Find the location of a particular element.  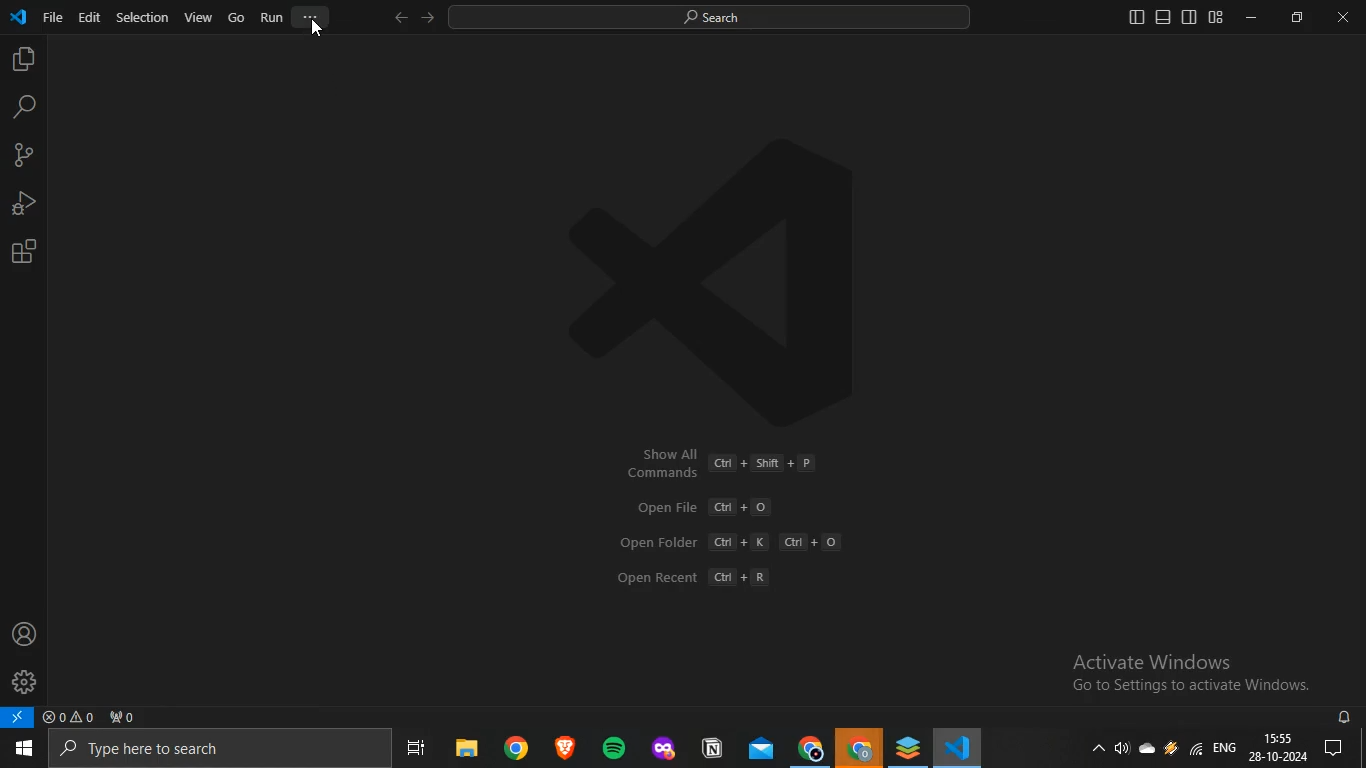

toggle panel is located at coordinates (1163, 17).